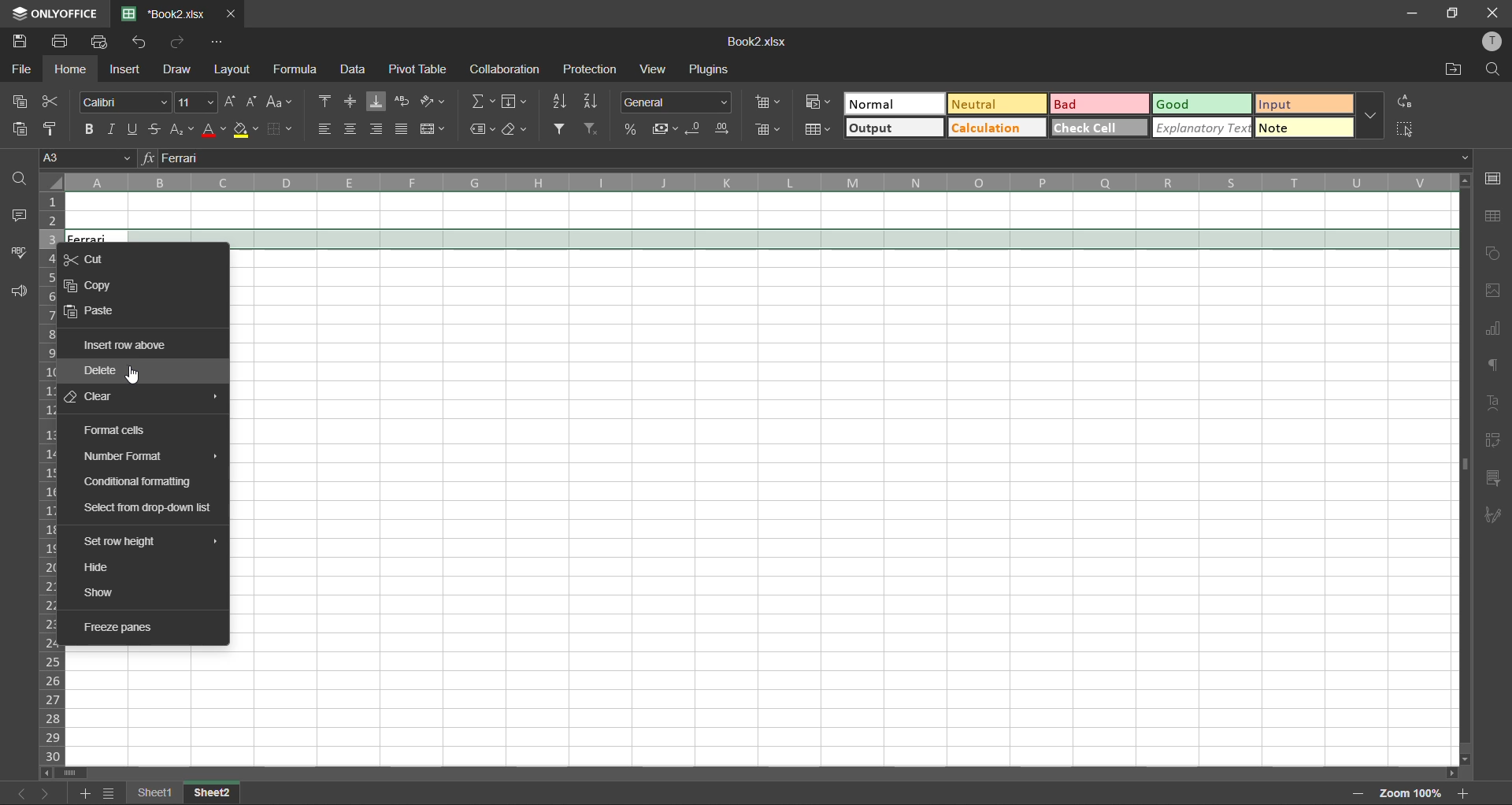 This screenshot has width=1512, height=805. What do you see at coordinates (127, 68) in the screenshot?
I see `insert` at bounding box center [127, 68].